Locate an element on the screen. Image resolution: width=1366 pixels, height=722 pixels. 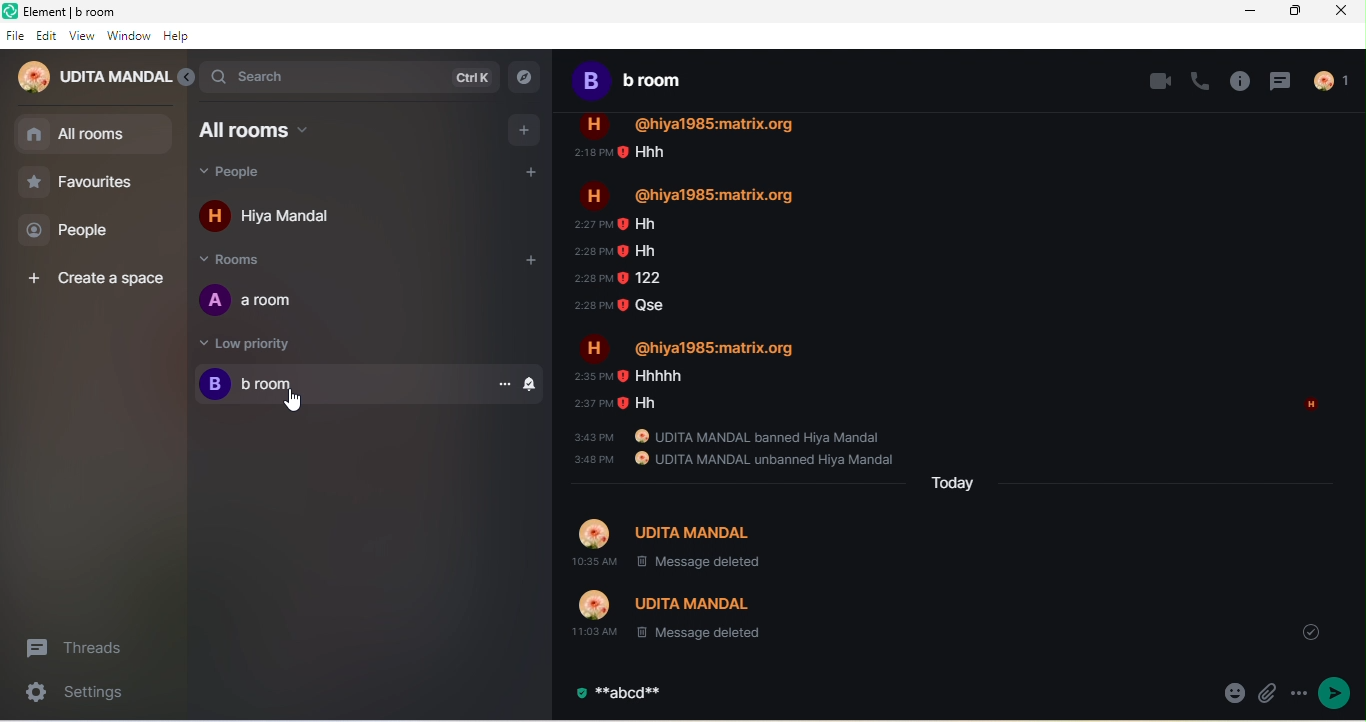
add is located at coordinates (524, 129).